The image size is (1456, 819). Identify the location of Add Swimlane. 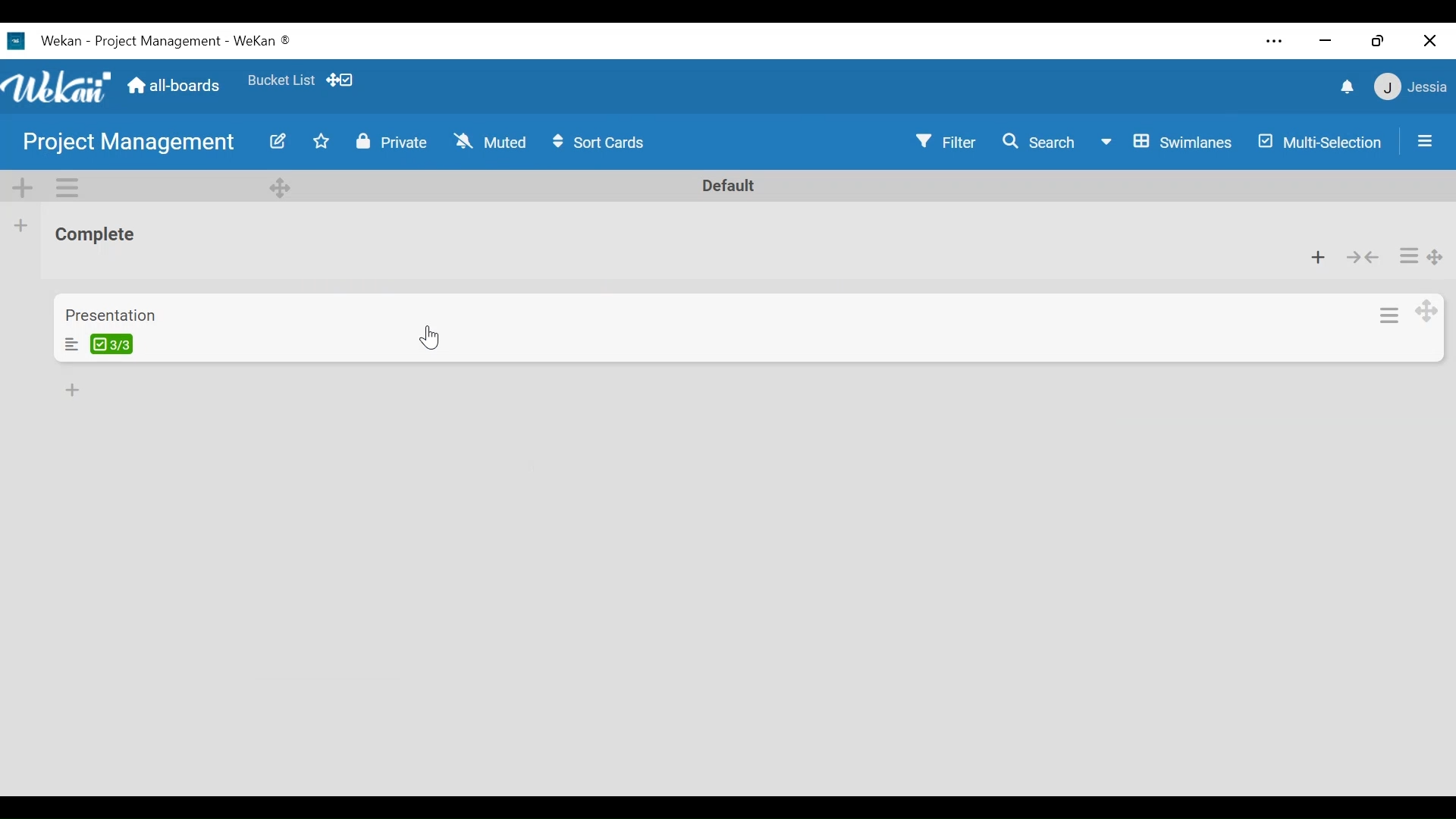
(20, 187).